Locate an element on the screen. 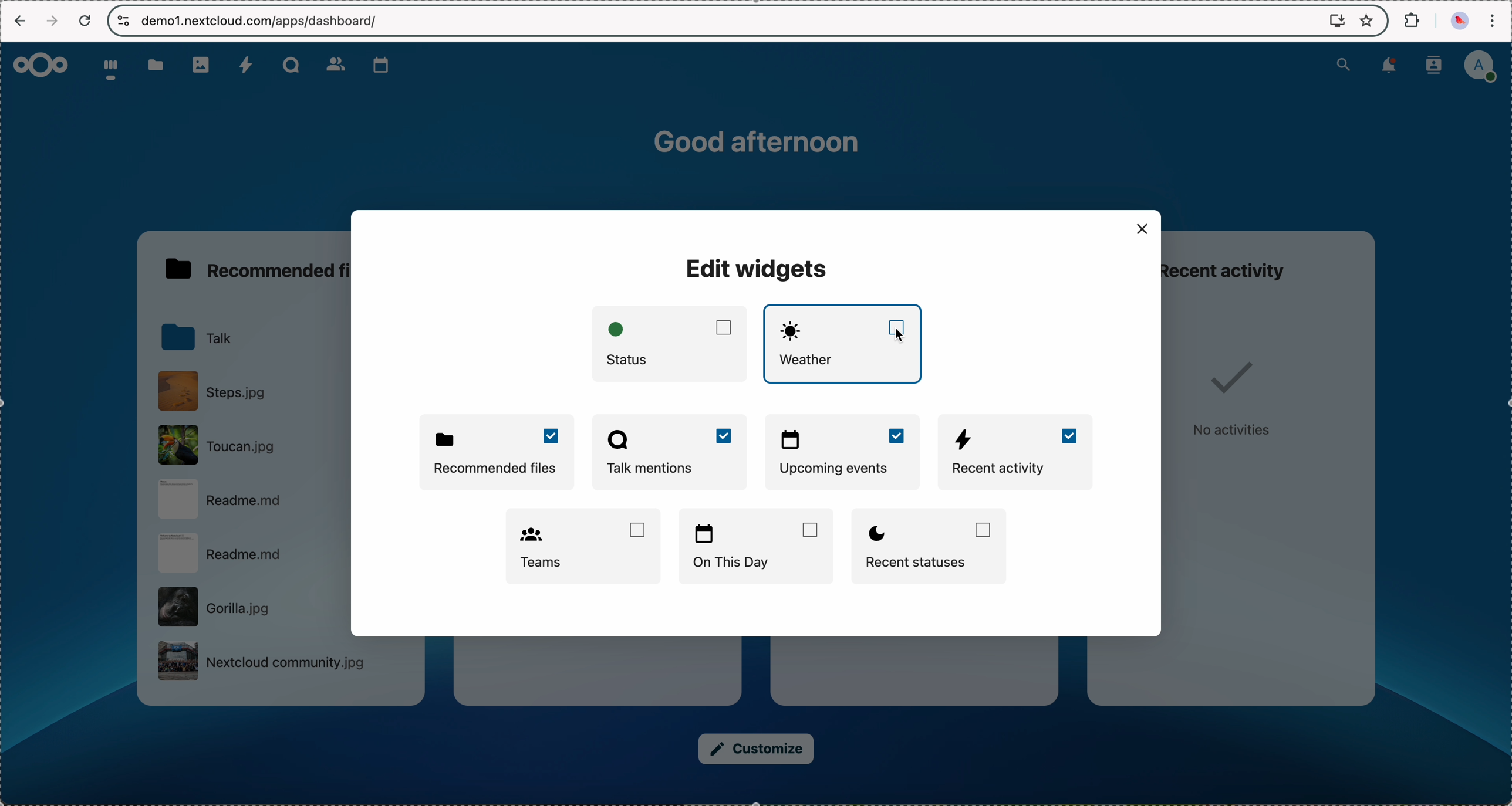 The width and height of the screenshot is (1512, 806). notifications is located at coordinates (1389, 66).